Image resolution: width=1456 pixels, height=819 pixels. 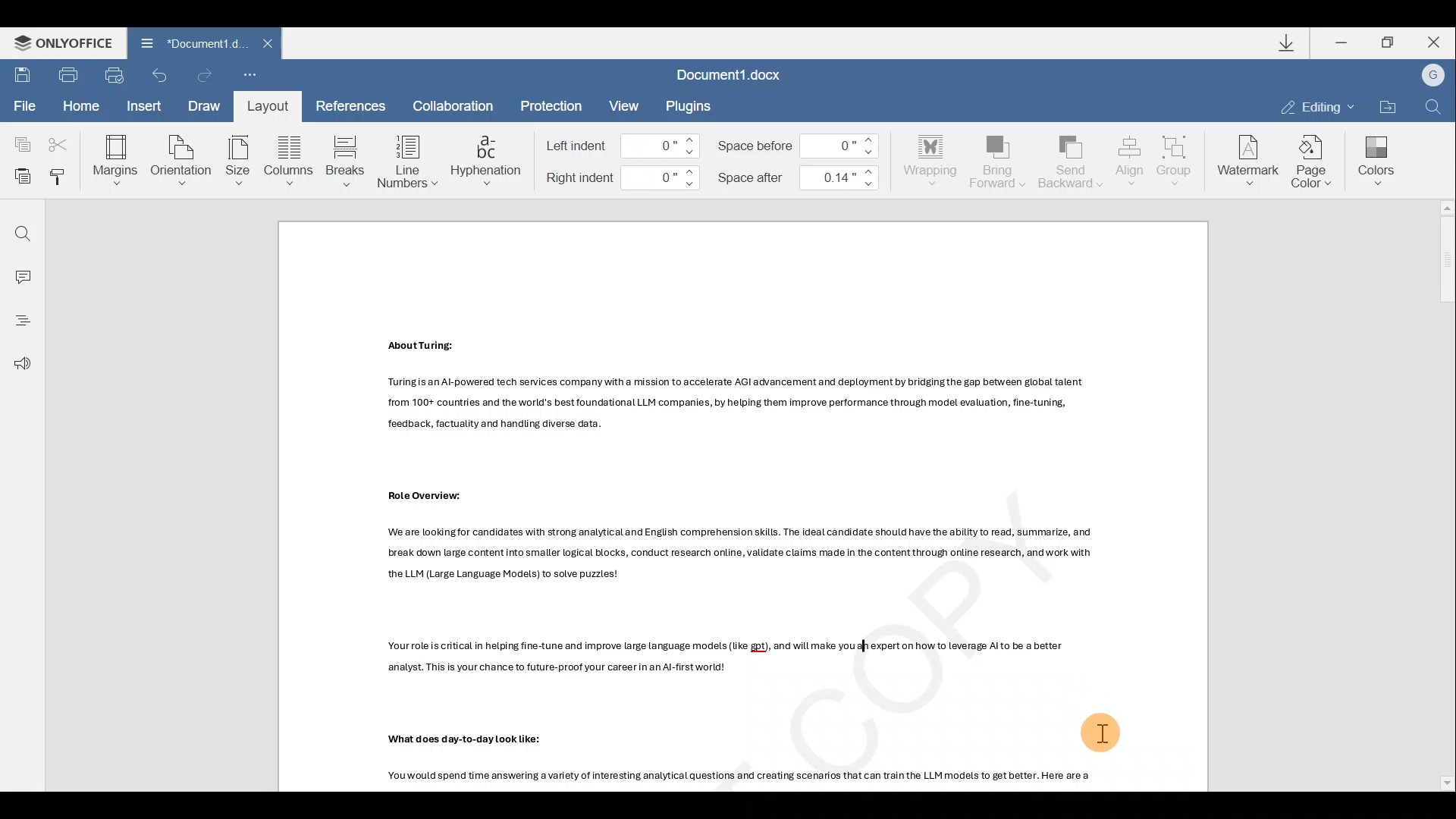 What do you see at coordinates (1102, 731) in the screenshot?
I see `Cursor` at bounding box center [1102, 731].